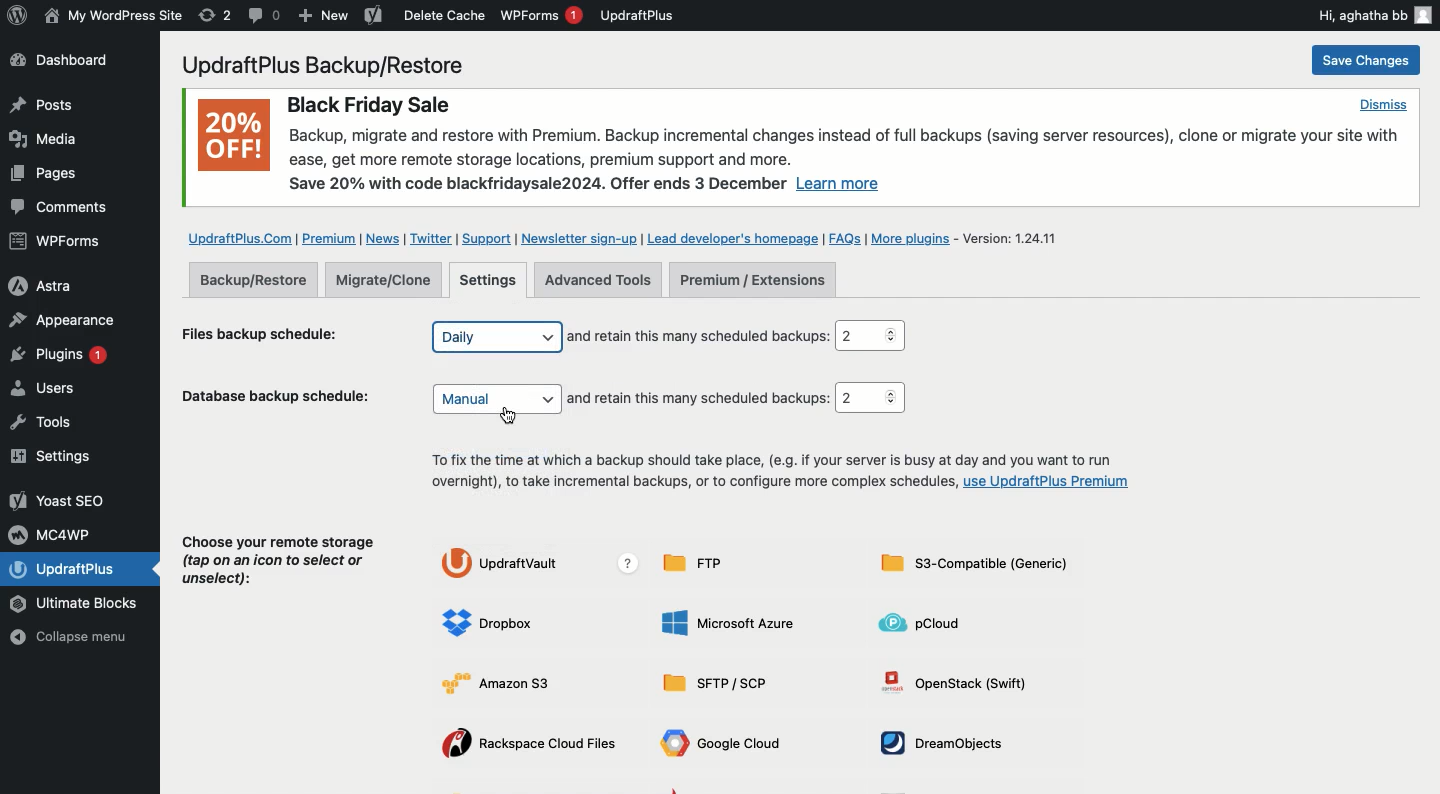 This screenshot has width=1440, height=794. I want to click on WPForms, so click(58, 243).